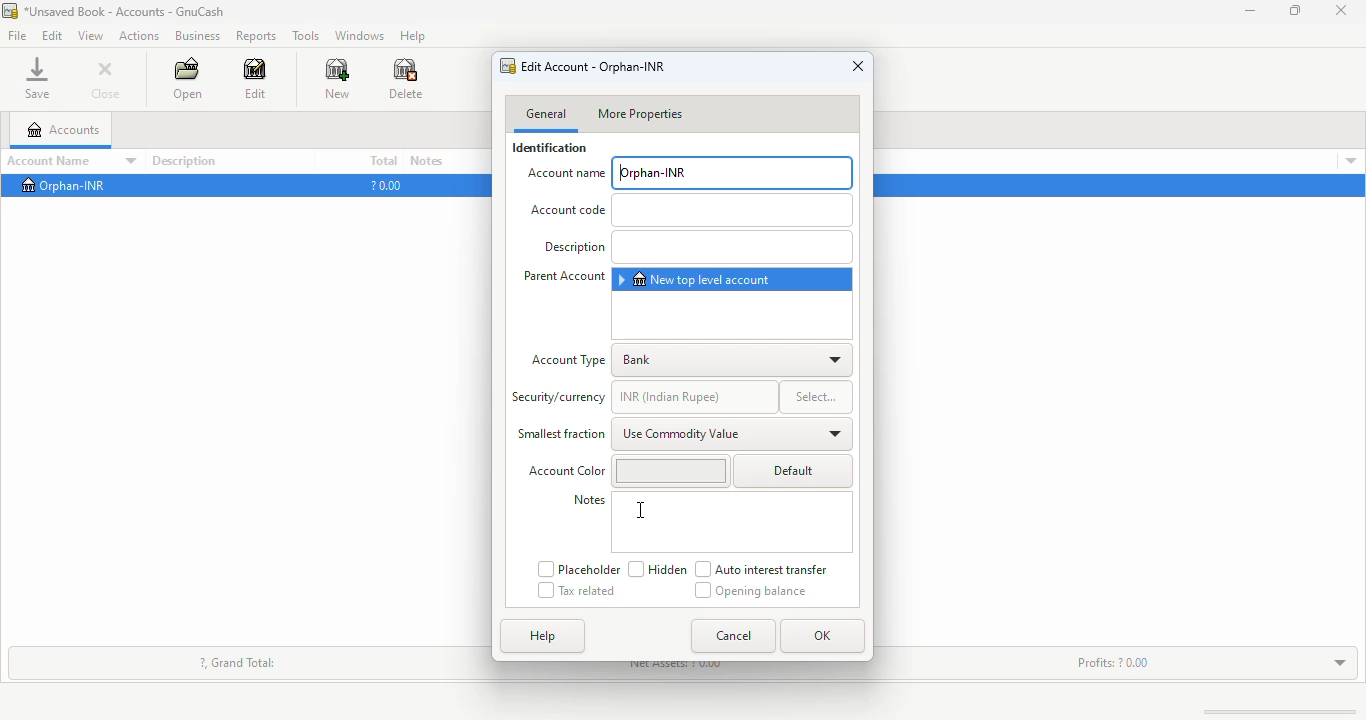 The image size is (1366, 720). I want to click on help, so click(415, 36).